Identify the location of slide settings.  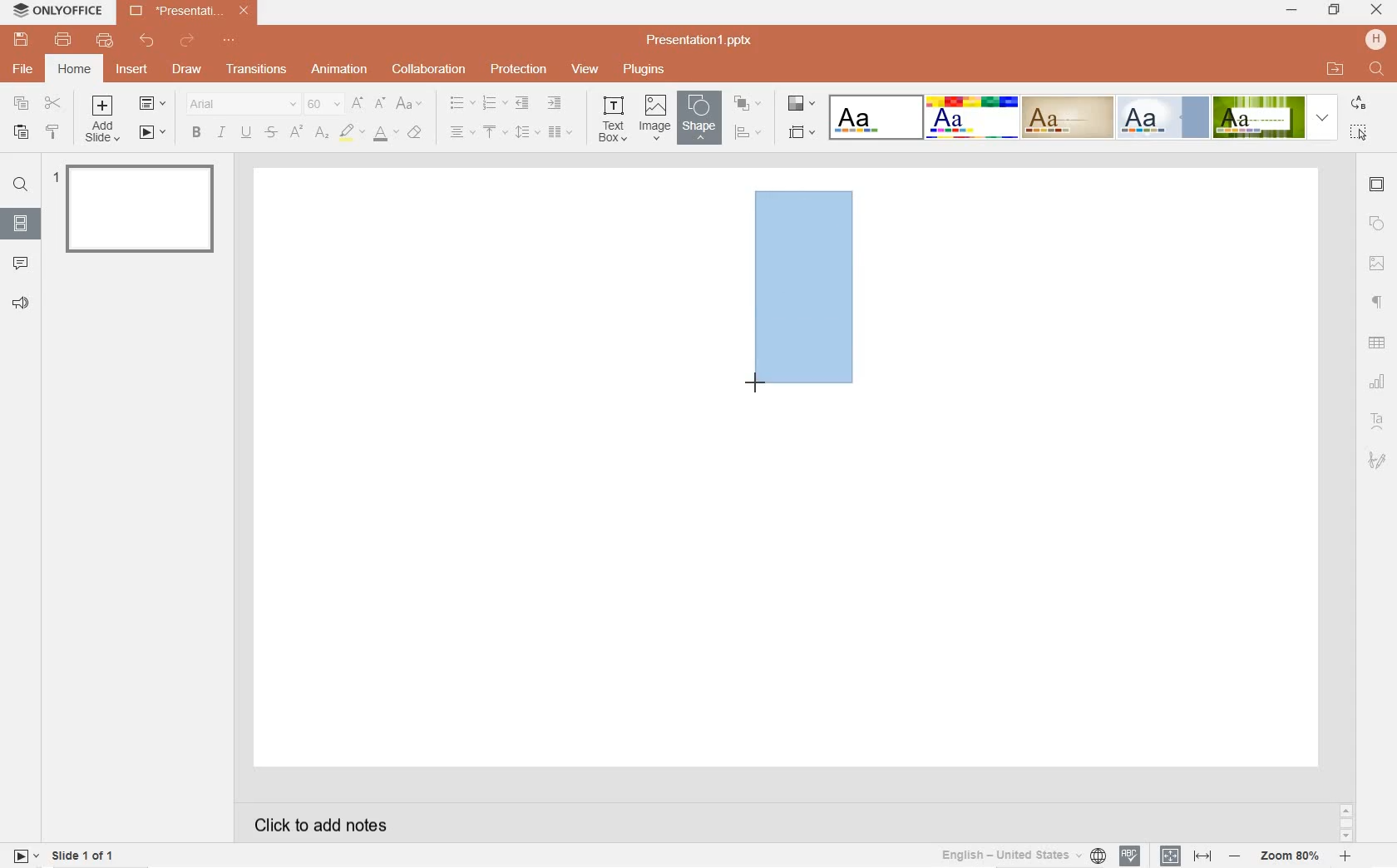
(1378, 186).